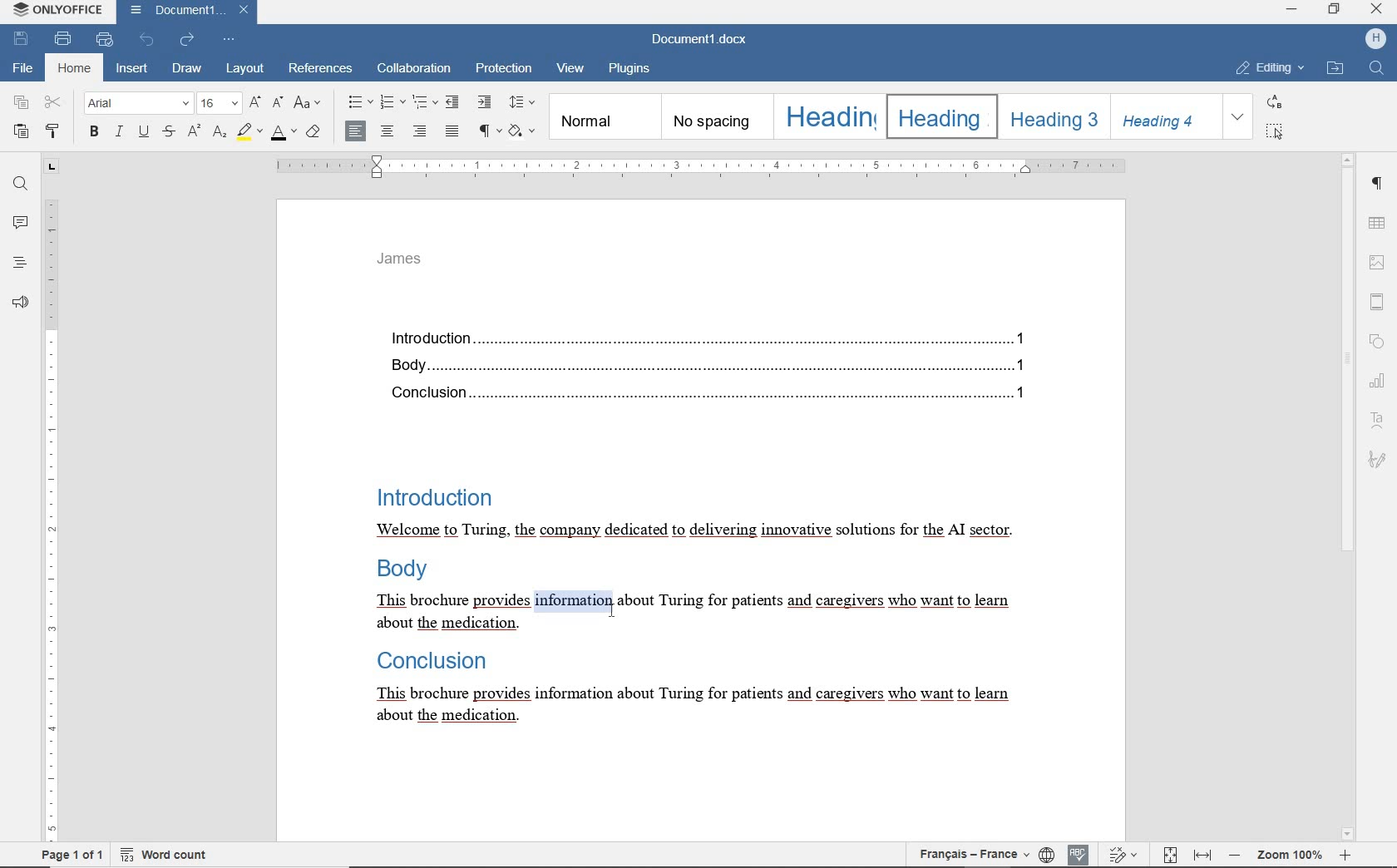 This screenshot has width=1397, height=868. Describe the element at coordinates (486, 102) in the screenshot. I see `INCREASE INDENT` at that location.